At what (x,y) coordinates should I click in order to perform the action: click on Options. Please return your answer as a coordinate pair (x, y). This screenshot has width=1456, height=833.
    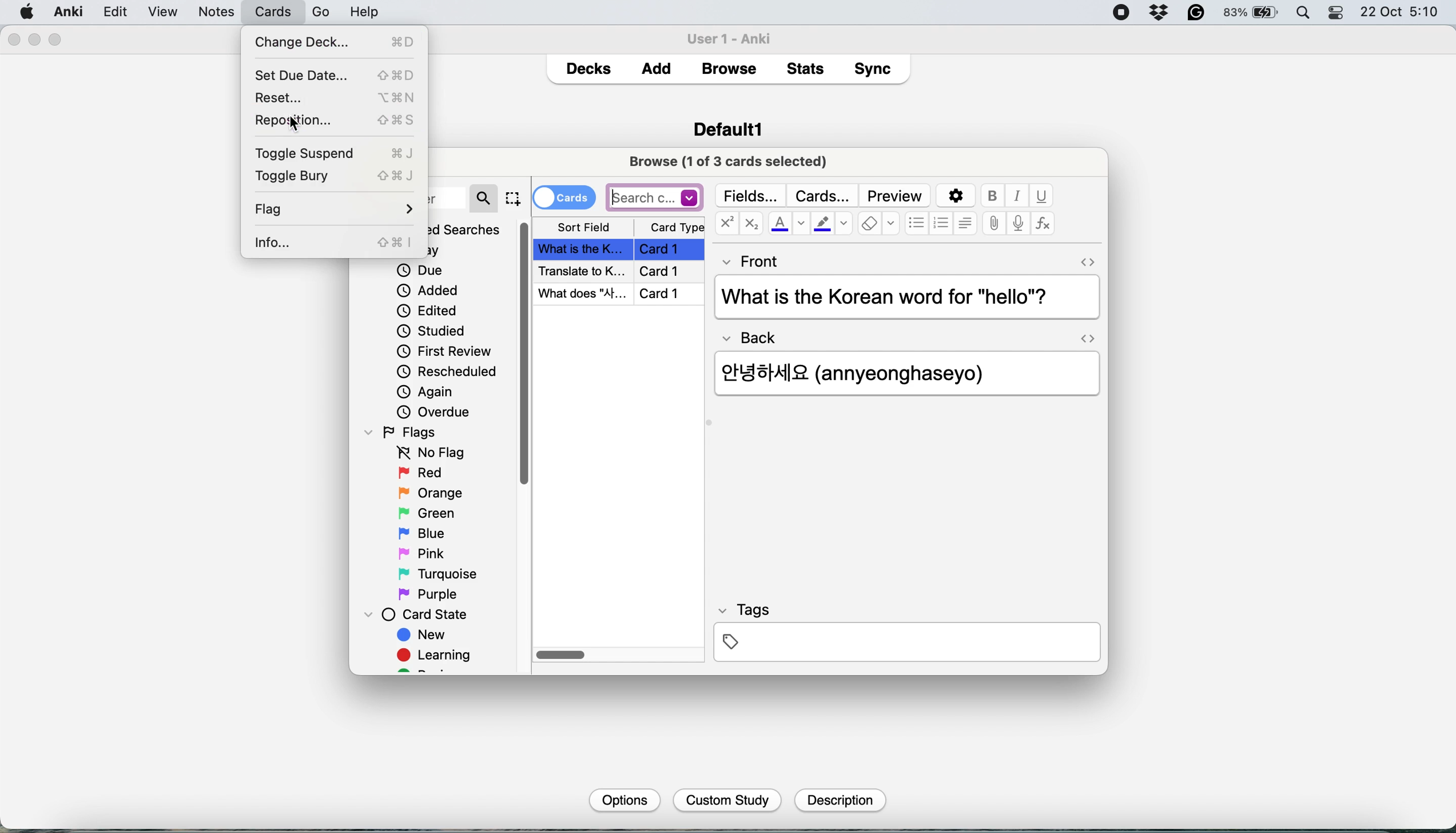
    Looking at the image, I should click on (623, 799).